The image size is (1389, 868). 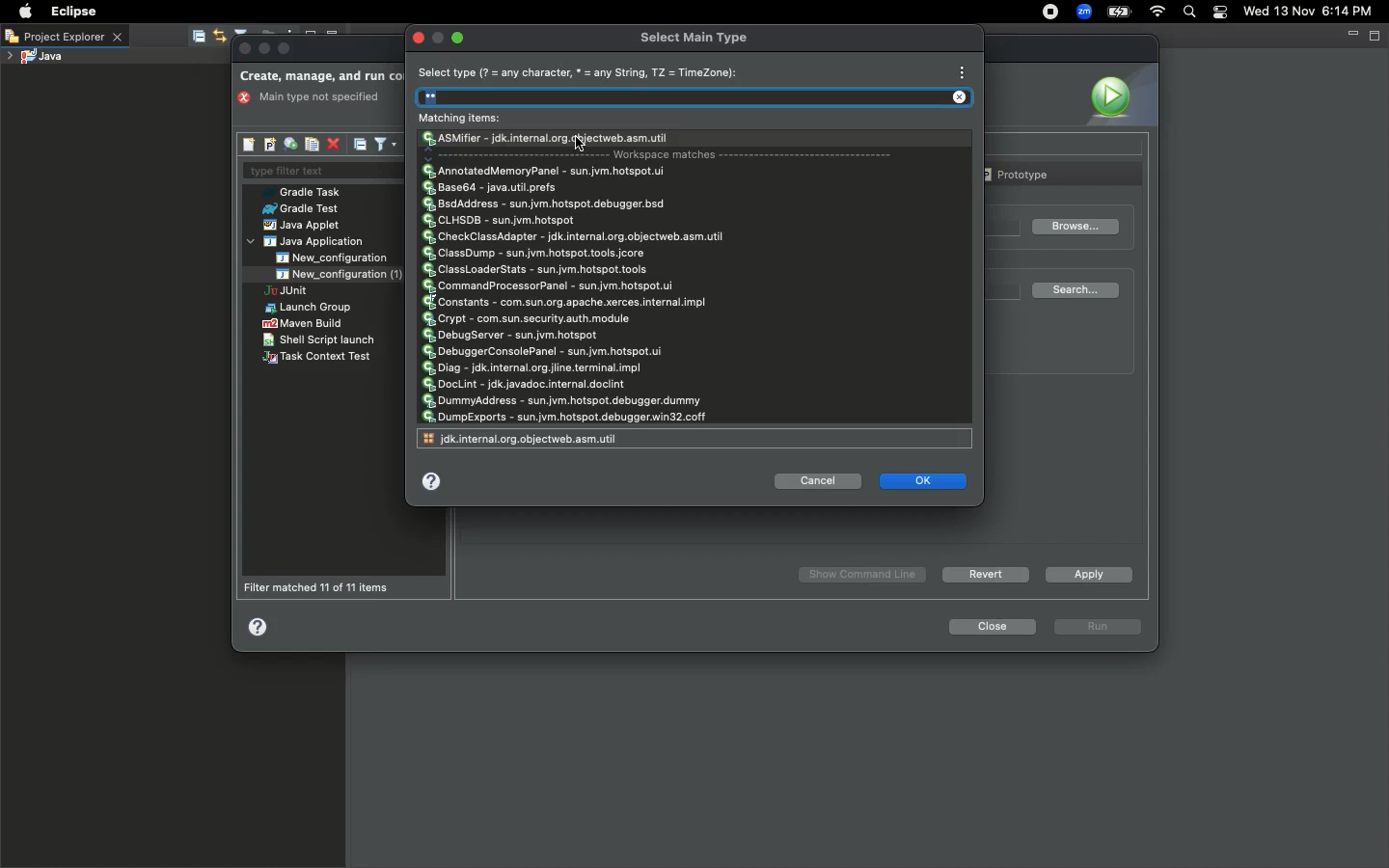 I want to click on cursor, so click(x=585, y=144).